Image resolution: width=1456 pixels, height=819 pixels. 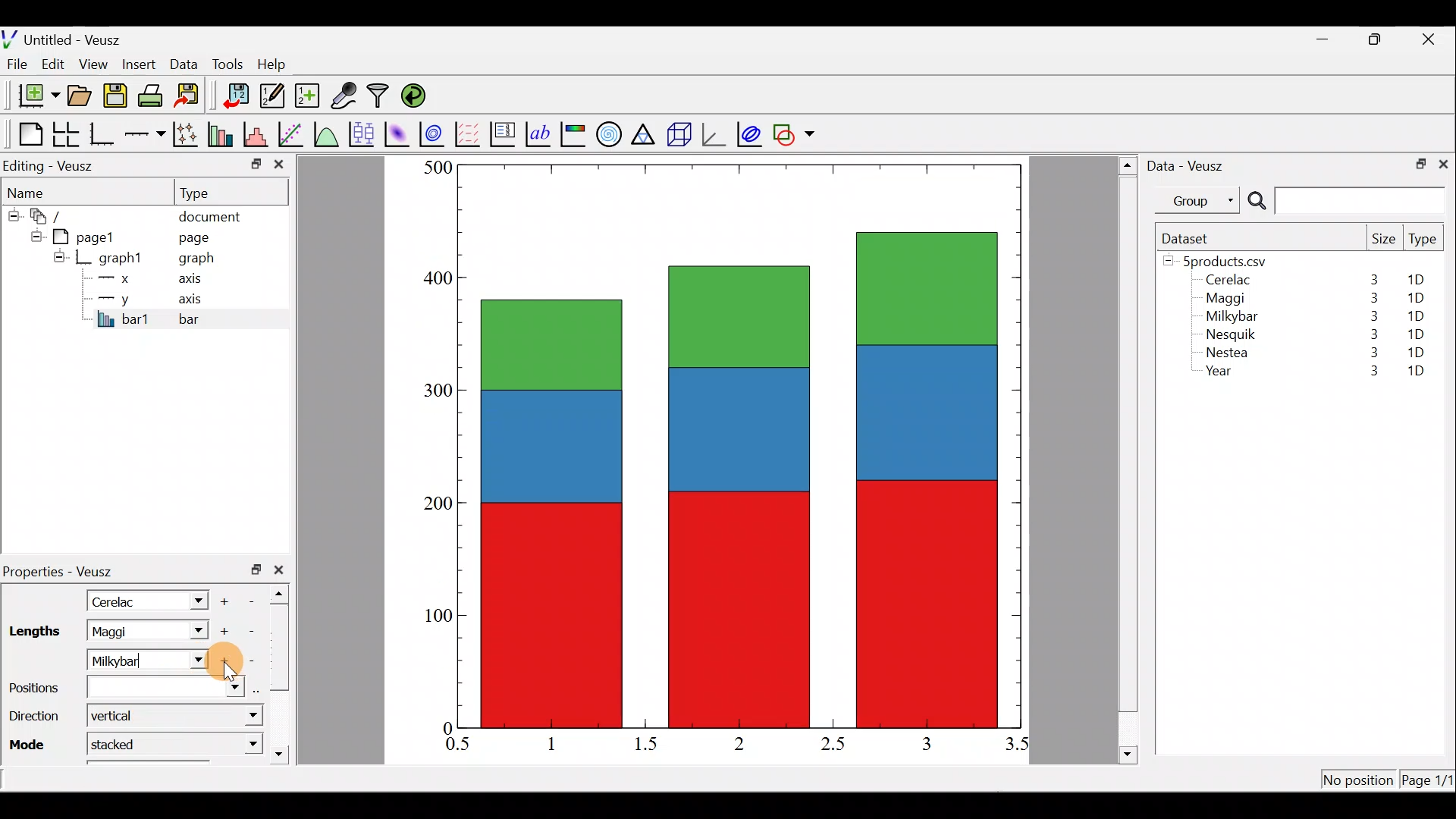 I want to click on Plot key, so click(x=504, y=133).